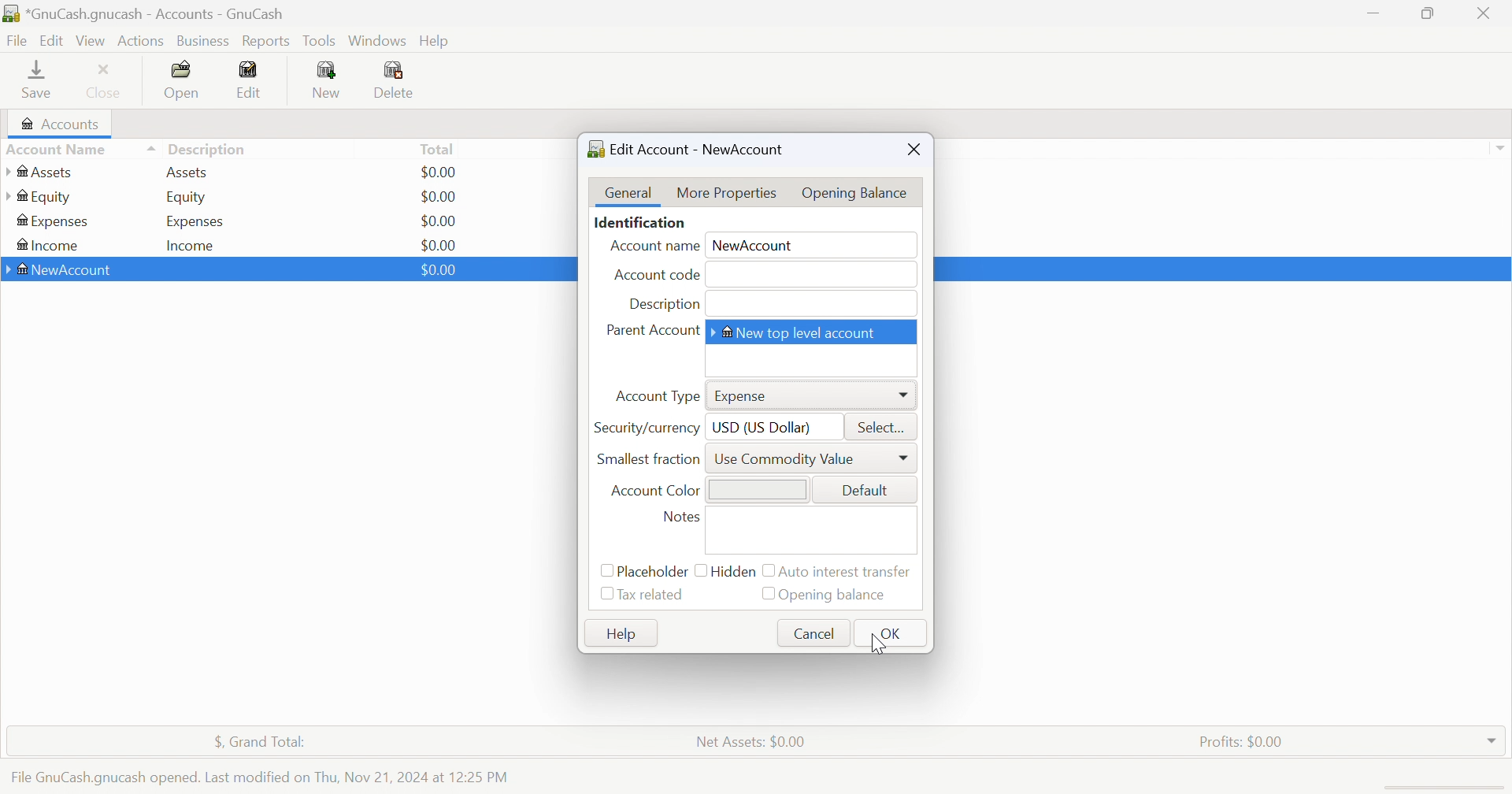 The height and width of the screenshot is (794, 1512). I want to click on Profits: $0.00, so click(1244, 742).